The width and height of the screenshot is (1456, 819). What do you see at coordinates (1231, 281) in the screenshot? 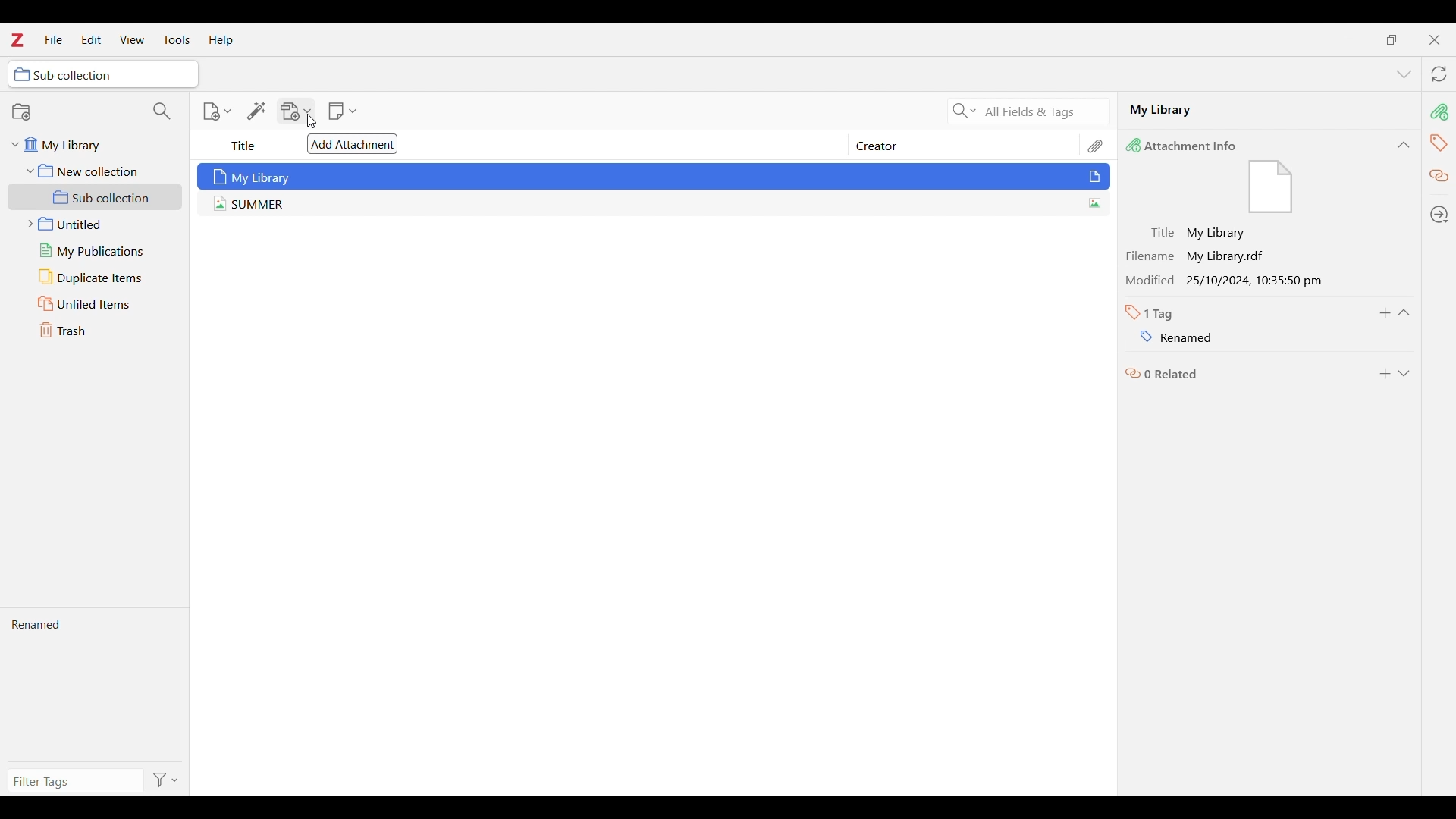
I see `Modified 25/10/2024, 10:35:50 pm` at bounding box center [1231, 281].